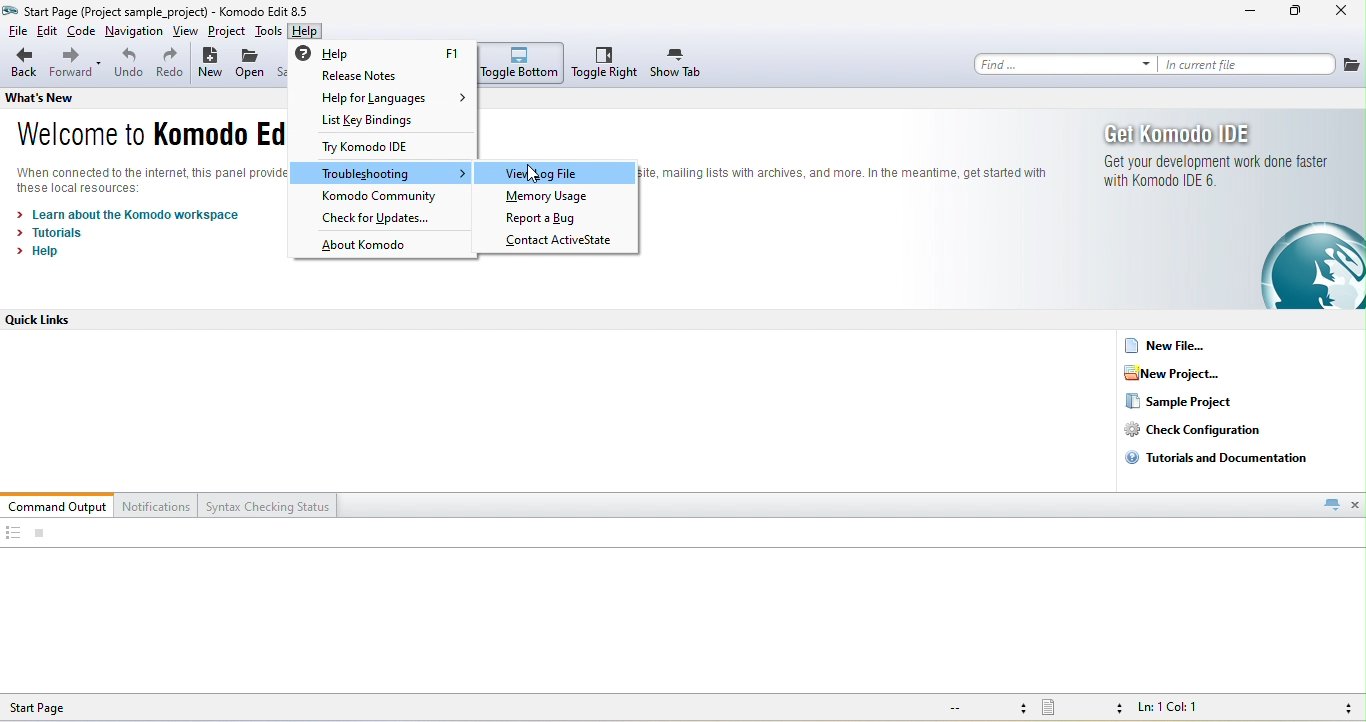 This screenshot has height=722, width=1366. I want to click on maximize, so click(1296, 13).